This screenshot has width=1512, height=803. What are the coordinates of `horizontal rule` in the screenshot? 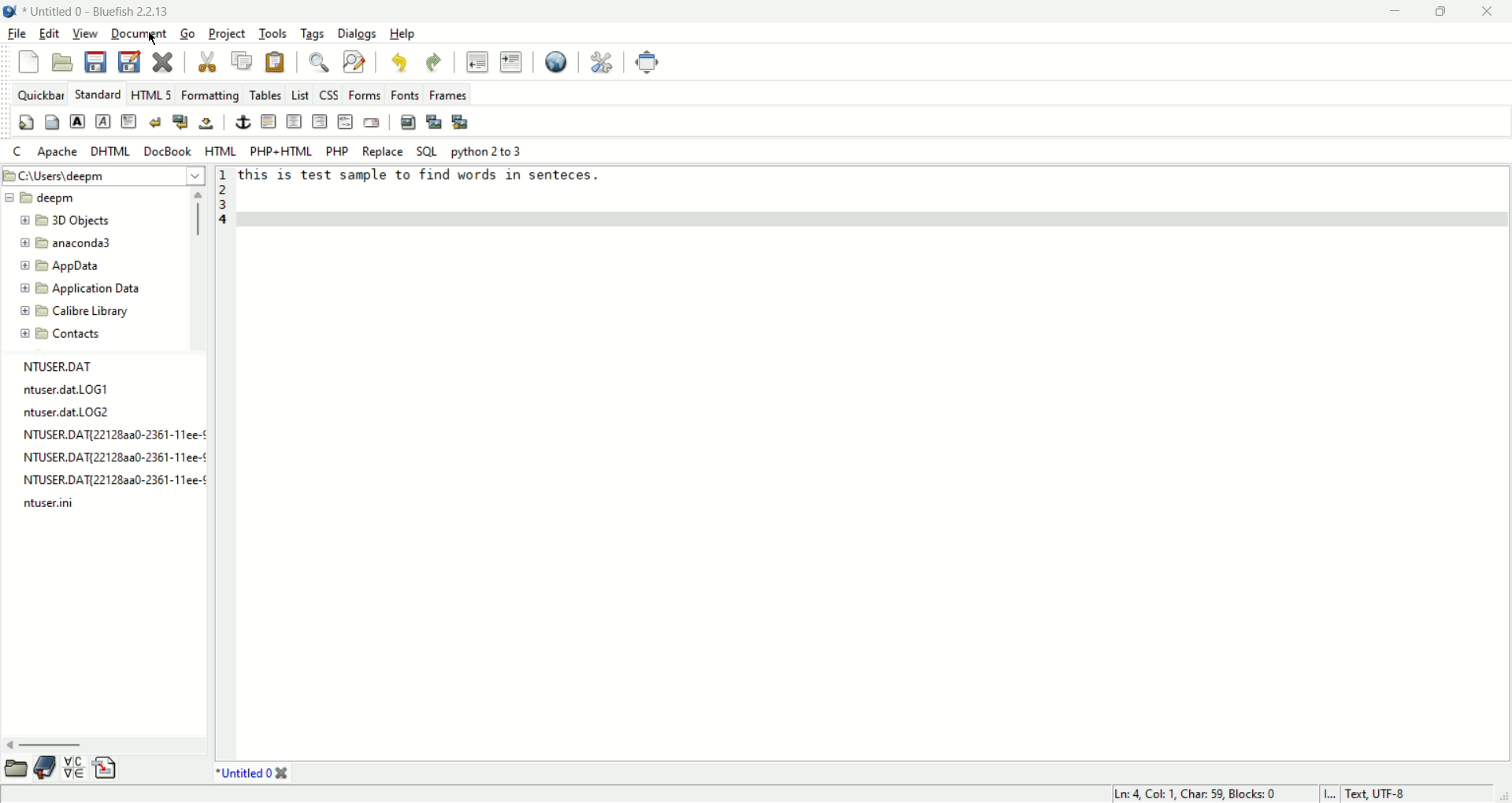 It's located at (269, 122).